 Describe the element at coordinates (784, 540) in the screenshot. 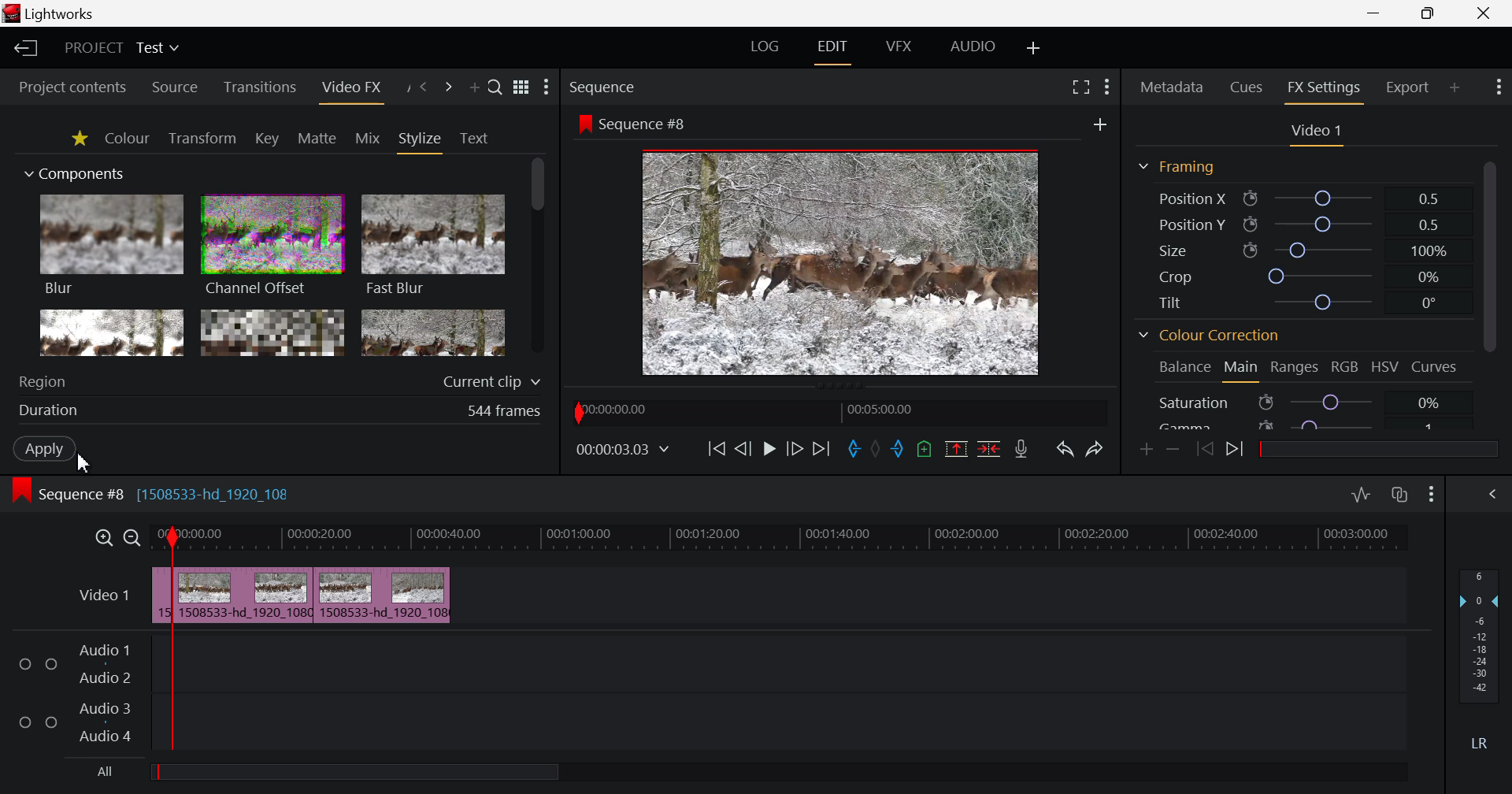

I see `Timeline Track` at that location.